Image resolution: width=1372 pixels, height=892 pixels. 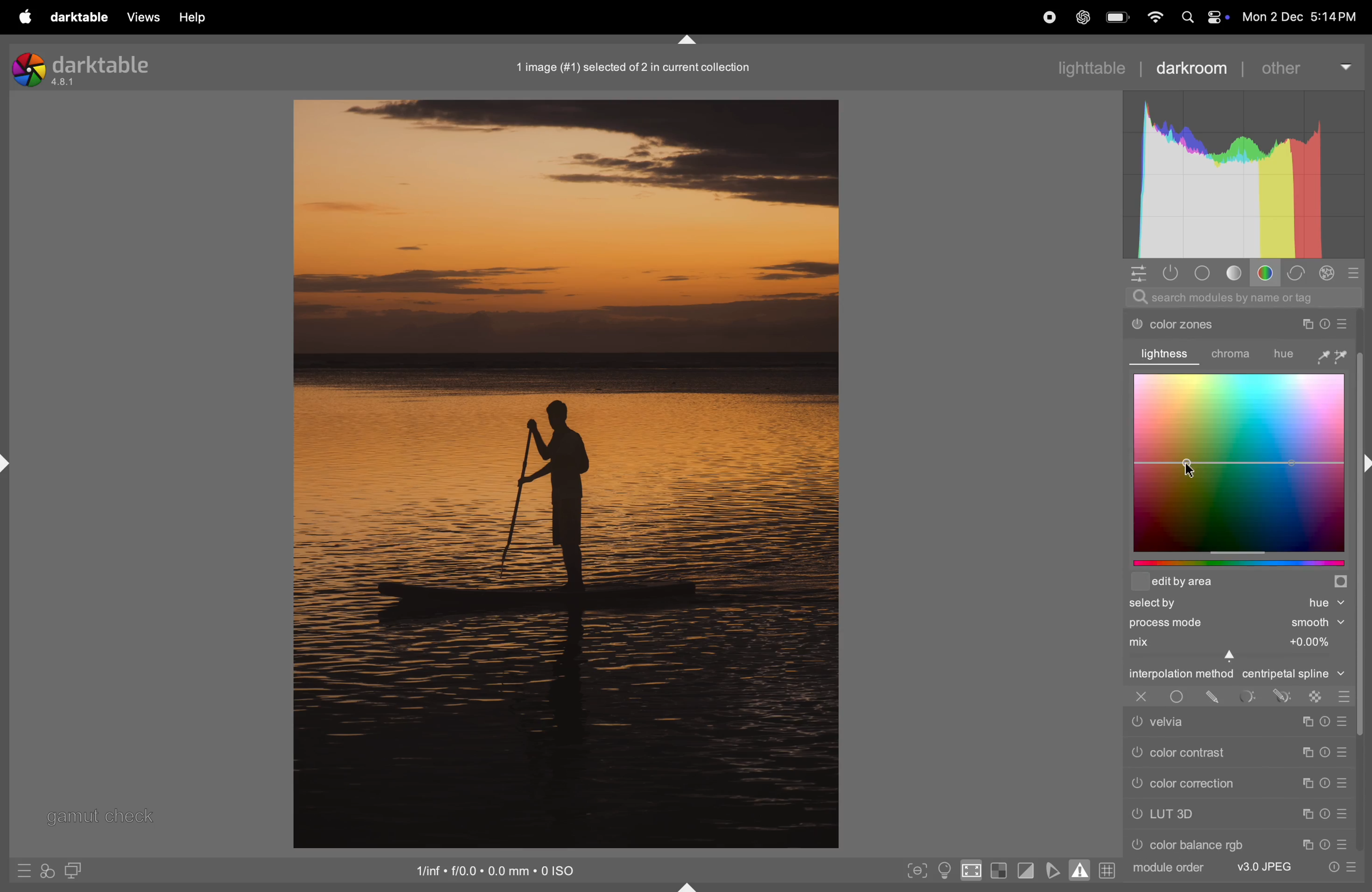 I want to click on lightable, so click(x=1083, y=68).